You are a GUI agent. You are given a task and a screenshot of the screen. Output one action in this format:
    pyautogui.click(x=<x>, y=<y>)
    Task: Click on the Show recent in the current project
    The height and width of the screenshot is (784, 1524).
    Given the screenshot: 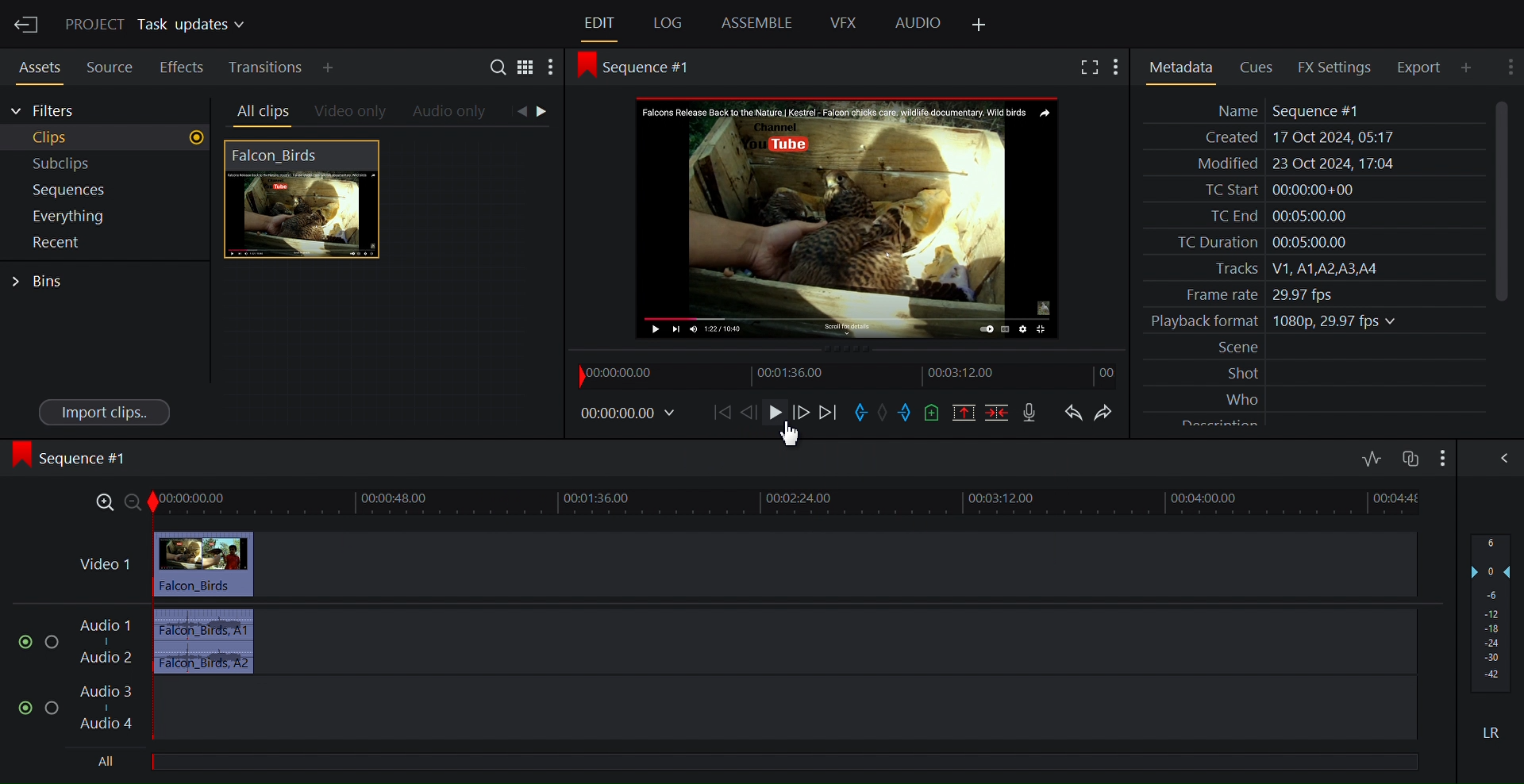 What is the action you would take?
    pyautogui.click(x=103, y=243)
    